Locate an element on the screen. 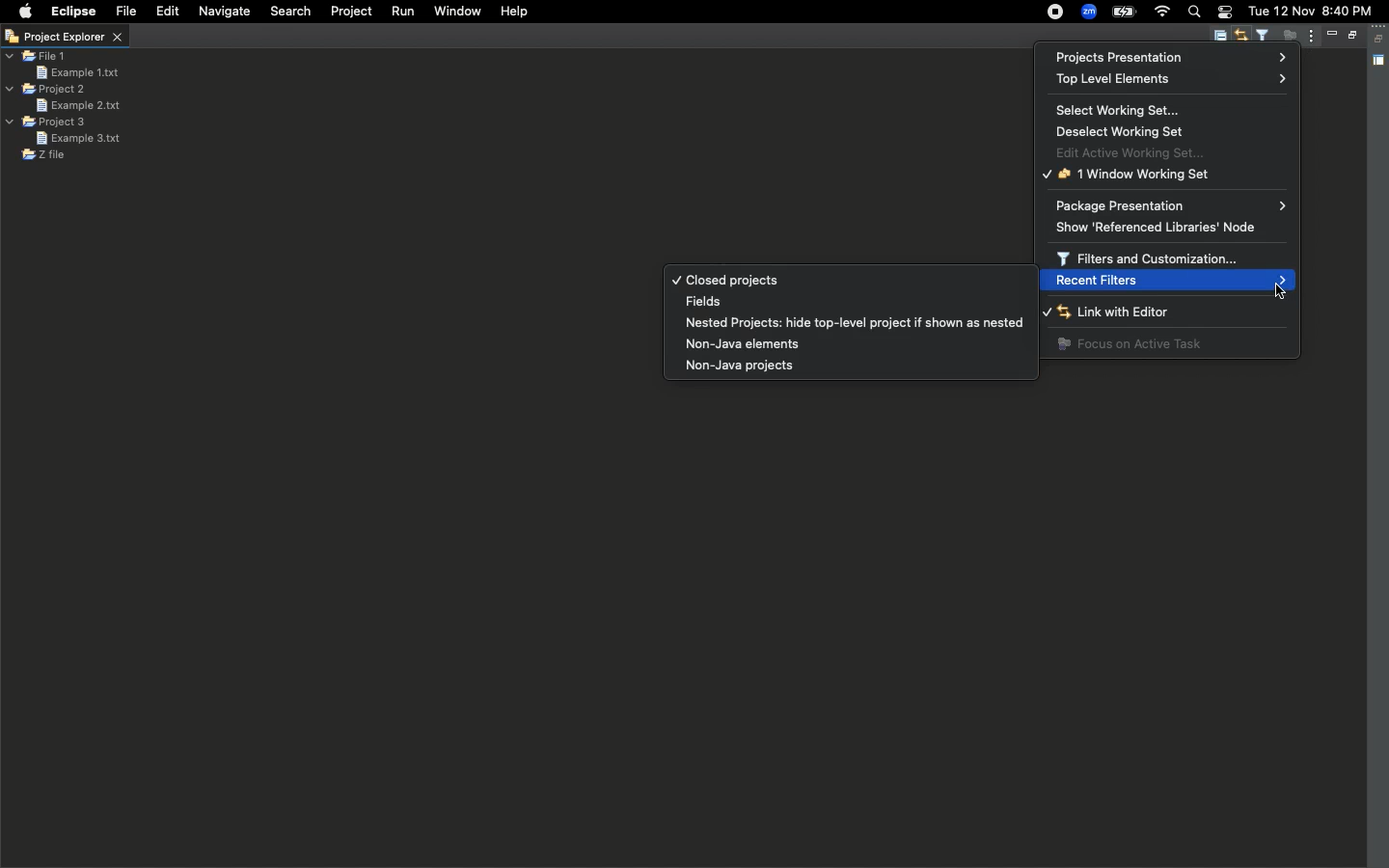  Recent filters is located at coordinates (1171, 281).